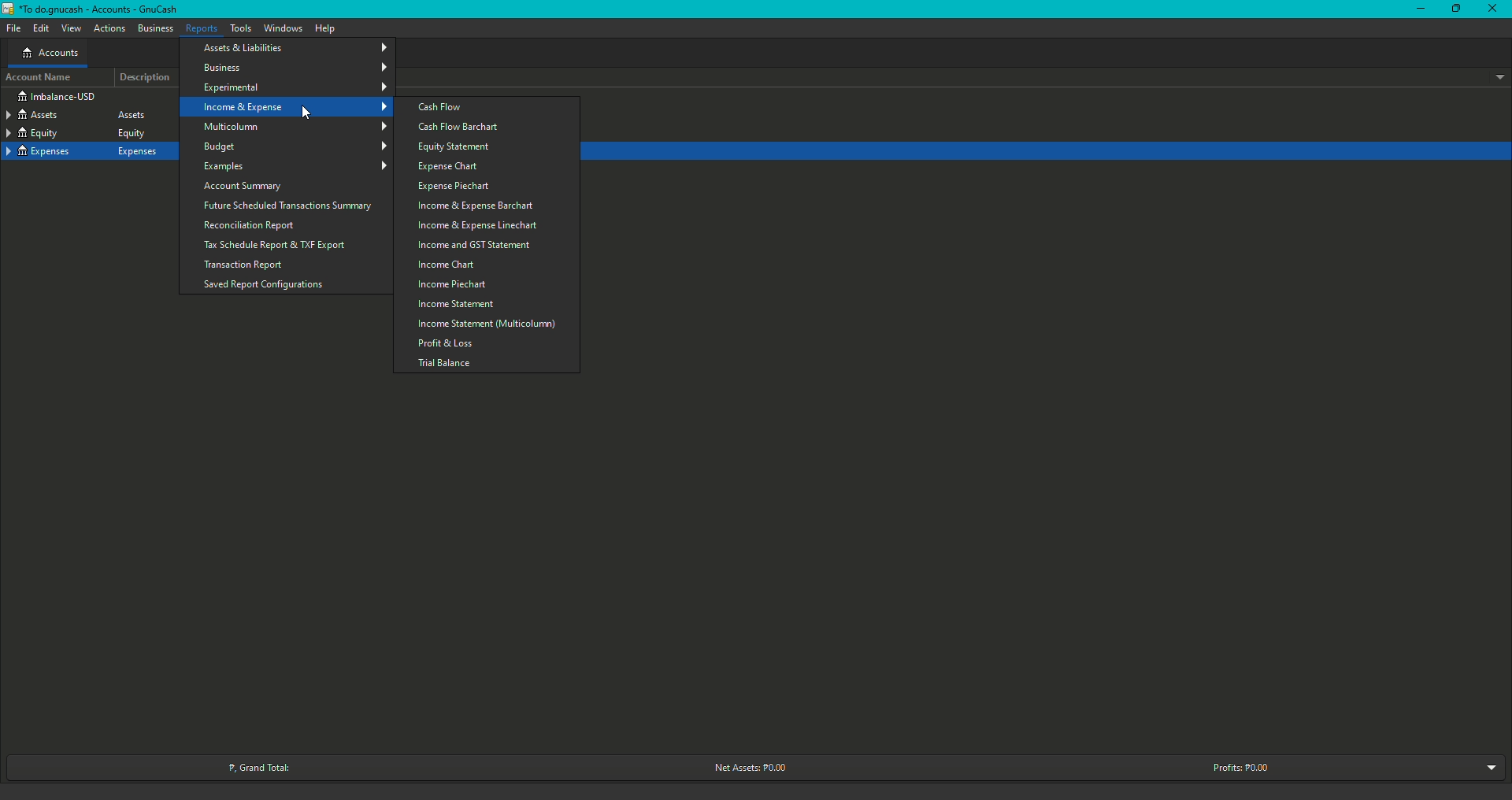  What do you see at coordinates (109, 27) in the screenshot?
I see `Actions` at bounding box center [109, 27].